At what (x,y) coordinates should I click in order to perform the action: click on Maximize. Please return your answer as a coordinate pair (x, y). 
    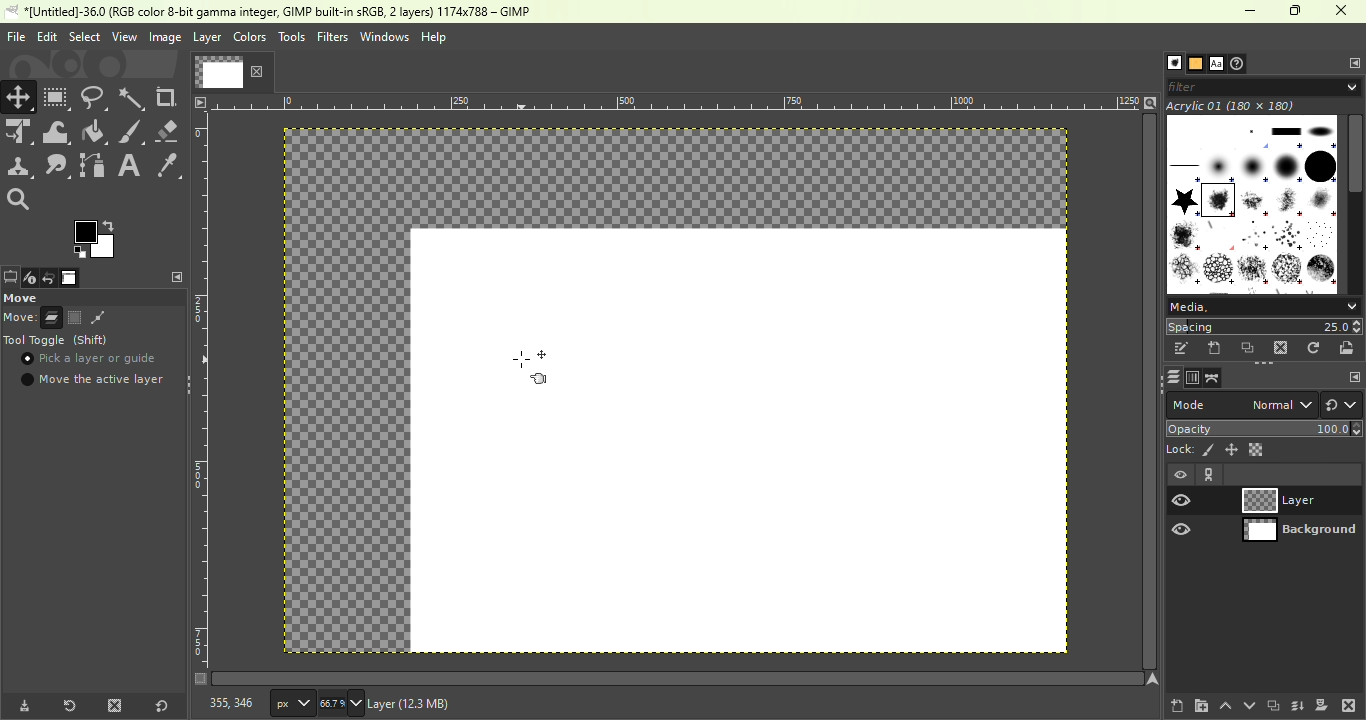
    Looking at the image, I should click on (1298, 11).